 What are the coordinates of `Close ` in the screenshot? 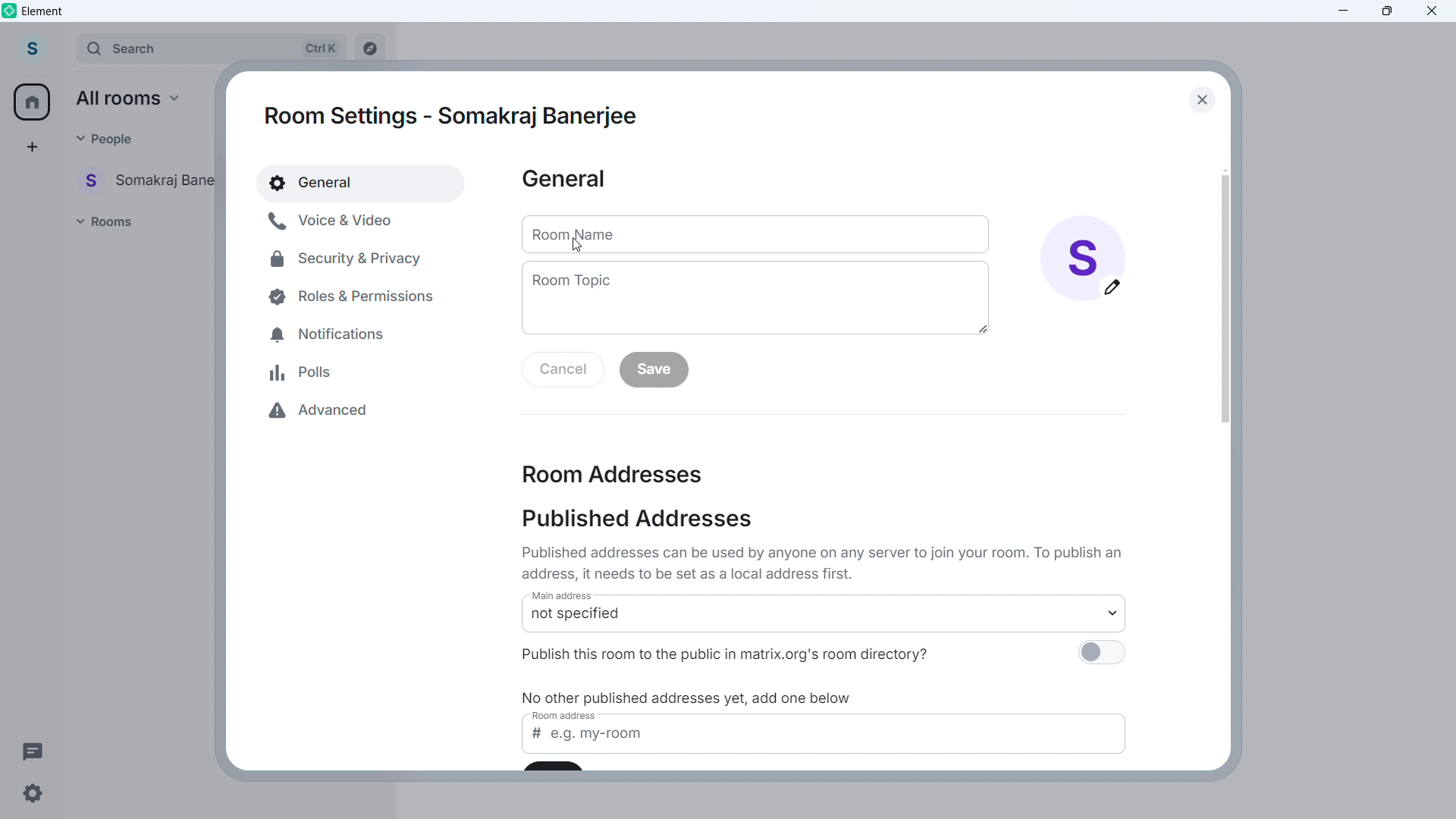 It's located at (1200, 99).